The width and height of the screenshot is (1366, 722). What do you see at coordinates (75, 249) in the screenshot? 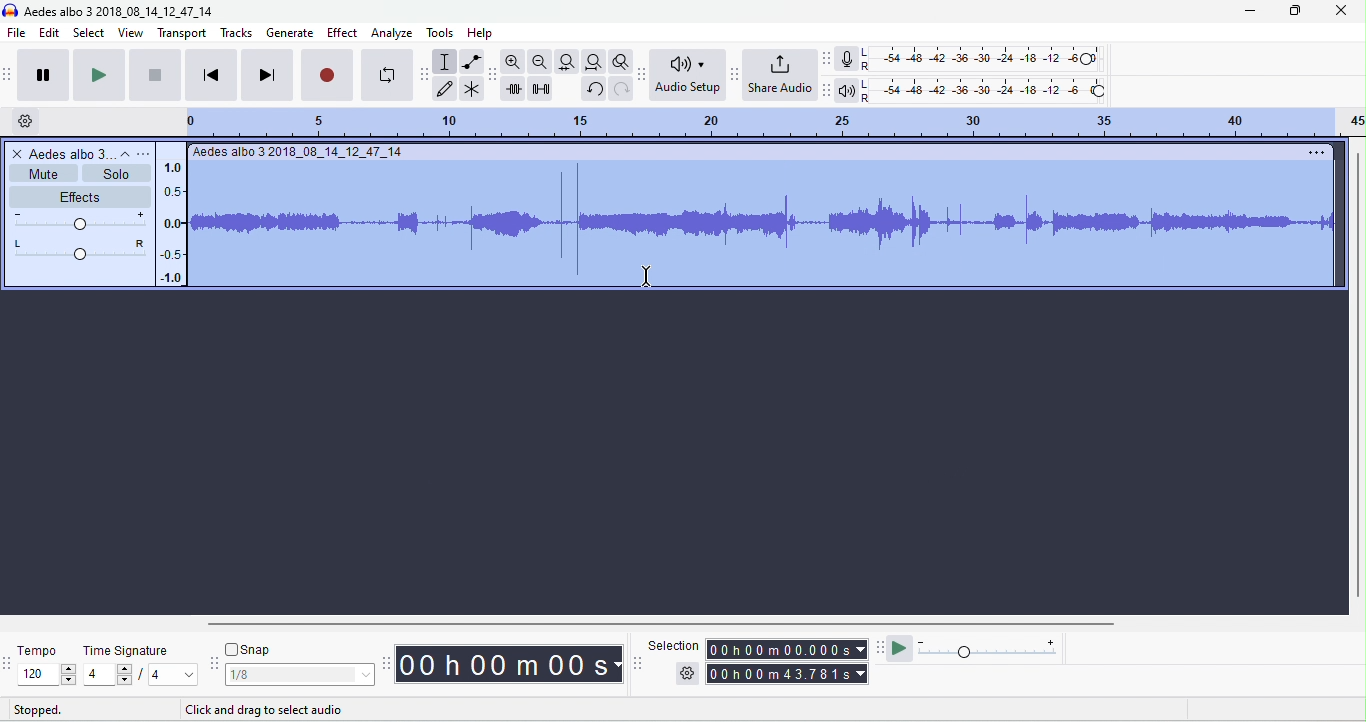
I see `pan` at bounding box center [75, 249].